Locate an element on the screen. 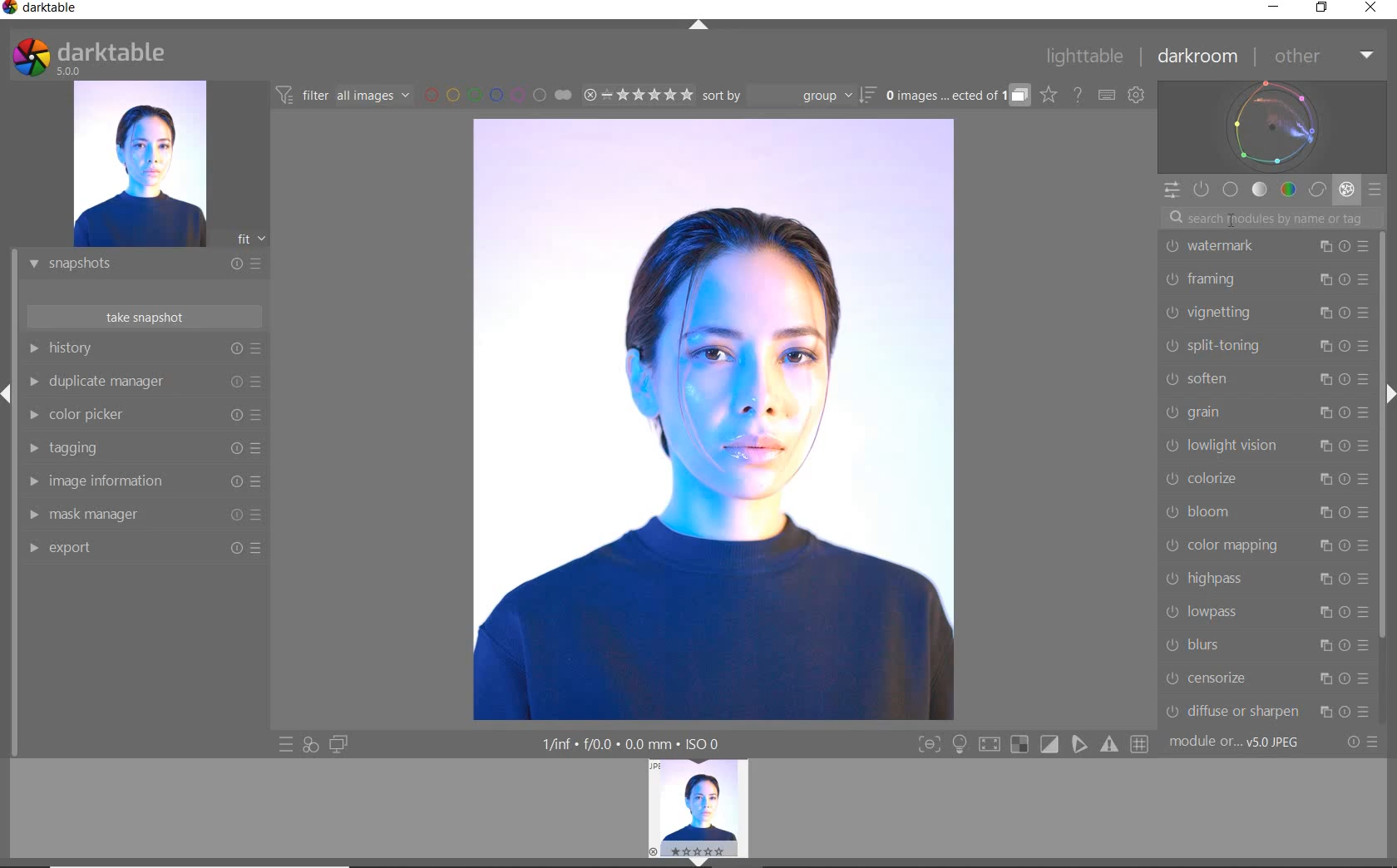 This screenshot has height=868, width=1397. CLICK TO CHANGE THE OVERLAYS SHOWN ON THUMBNAILS is located at coordinates (1049, 95).